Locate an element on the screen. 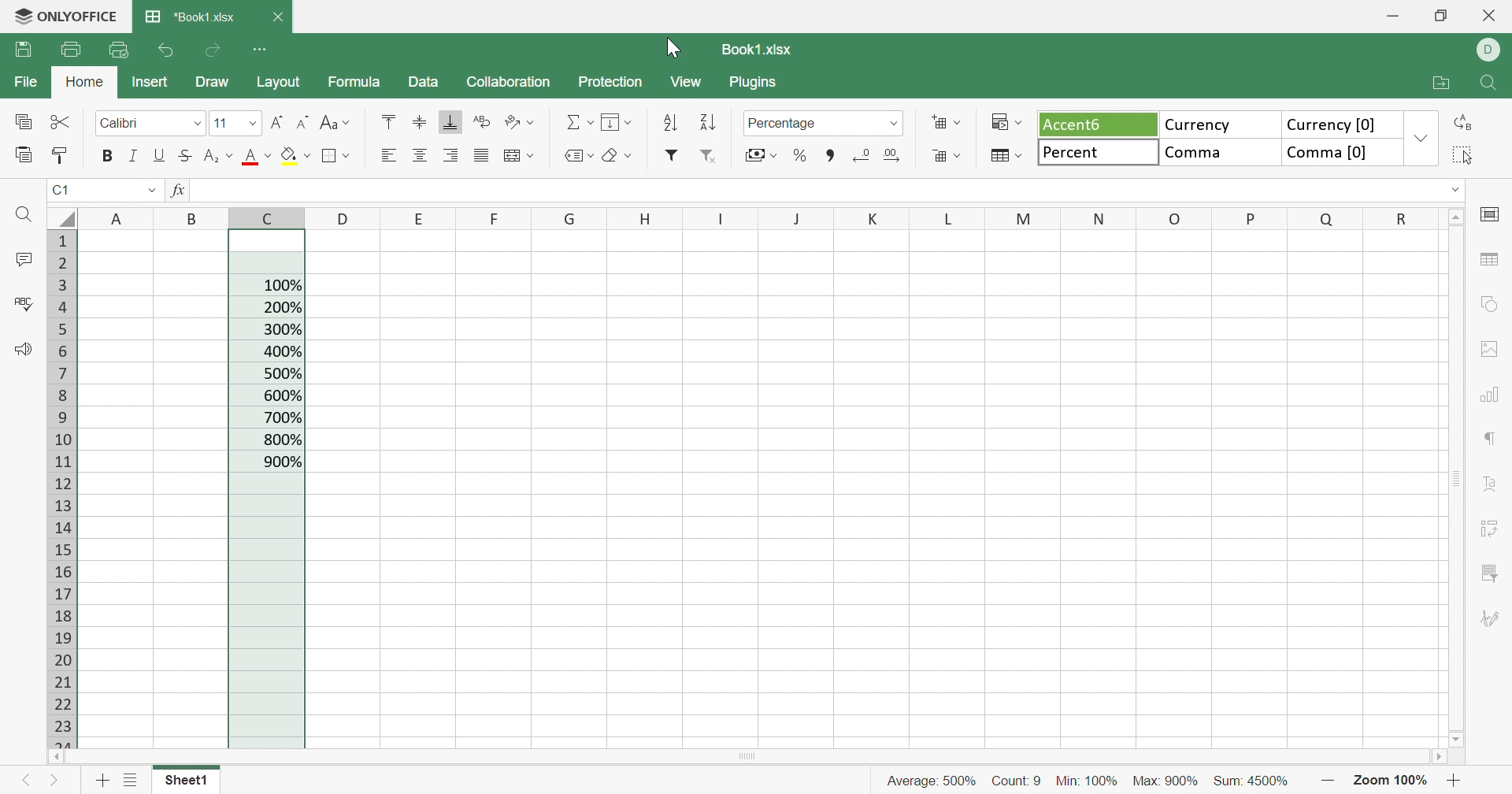 The height and width of the screenshot is (794, 1512). File is located at coordinates (28, 82).